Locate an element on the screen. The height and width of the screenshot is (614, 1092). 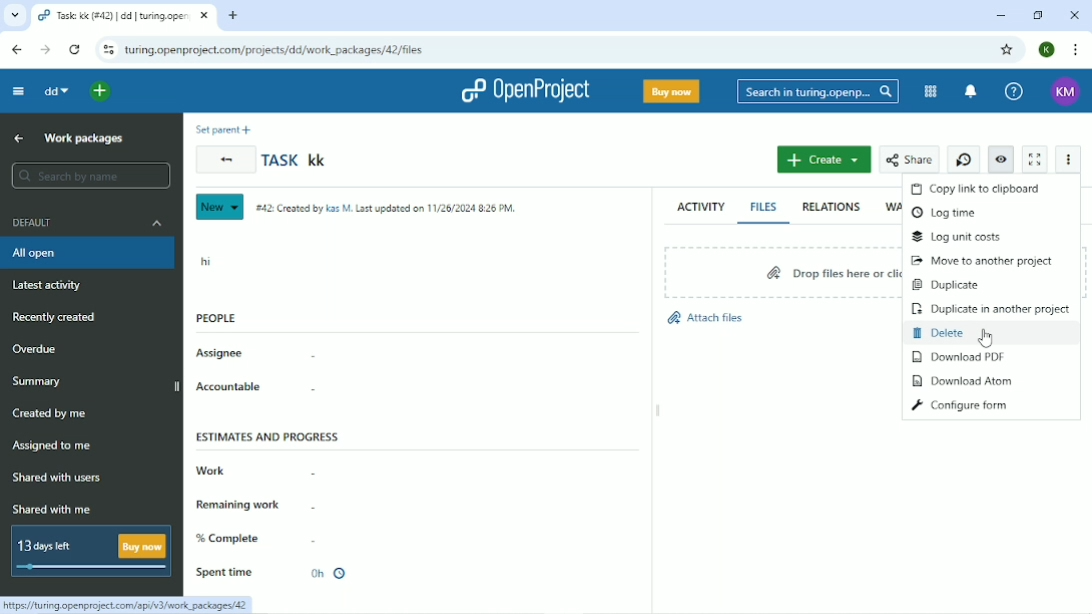
% Complete is located at coordinates (257, 538).